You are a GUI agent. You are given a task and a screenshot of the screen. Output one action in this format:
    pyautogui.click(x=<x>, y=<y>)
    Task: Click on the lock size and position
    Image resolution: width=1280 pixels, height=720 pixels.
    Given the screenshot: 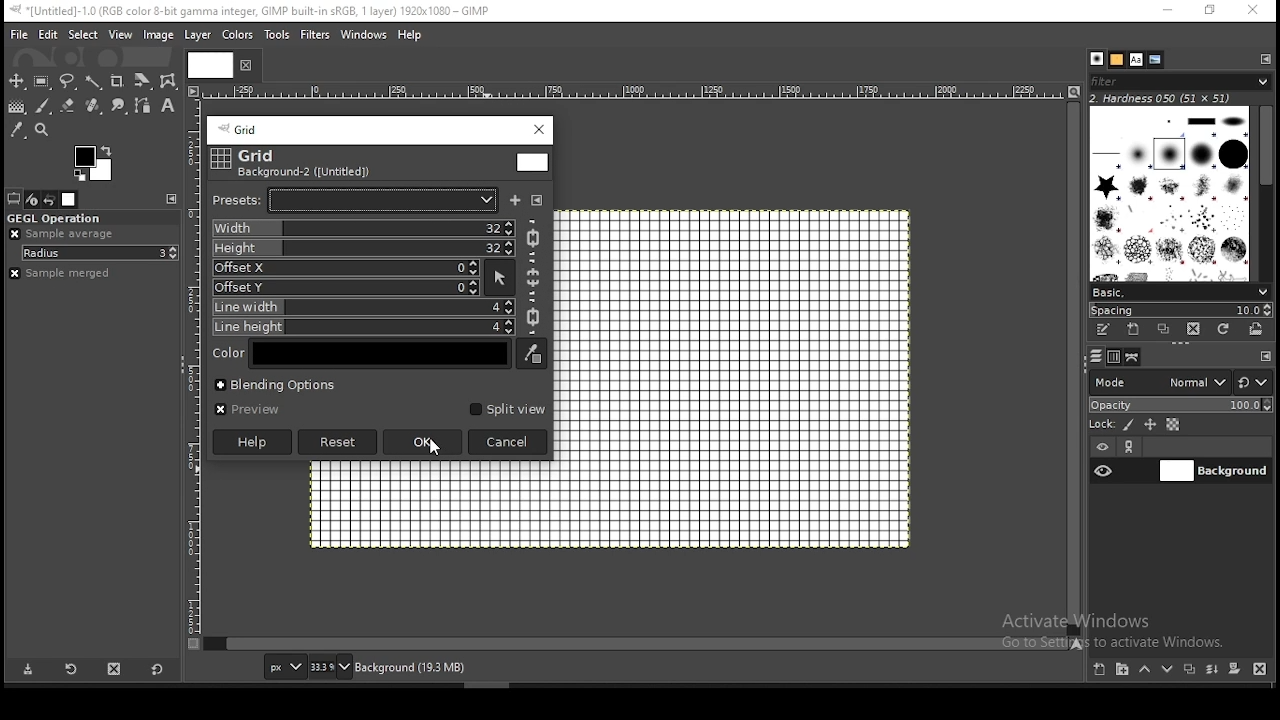 What is the action you would take?
    pyautogui.click(x=1150, y=424)
    